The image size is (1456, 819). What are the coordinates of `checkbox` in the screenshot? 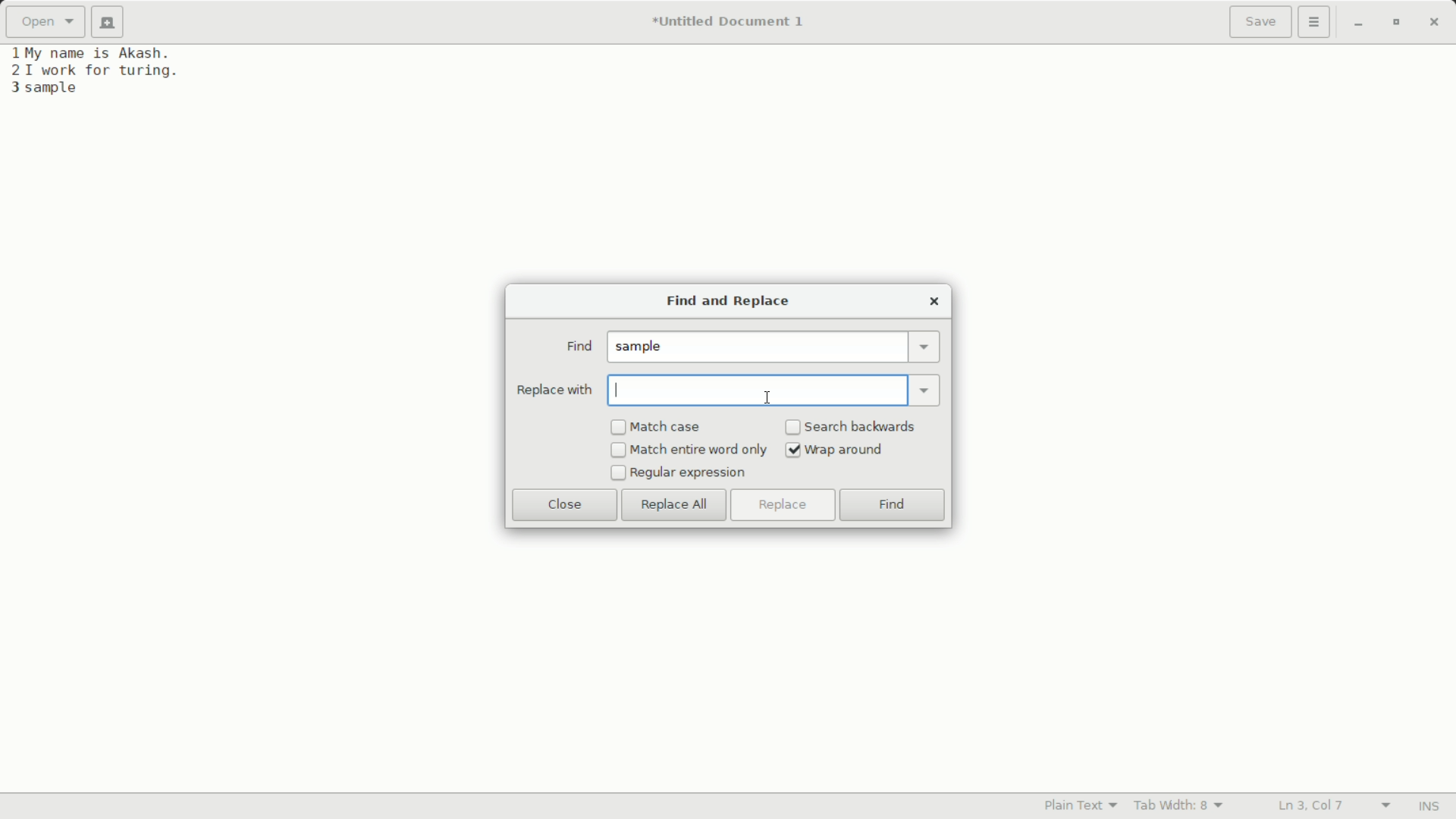 It's located at (793, 428).